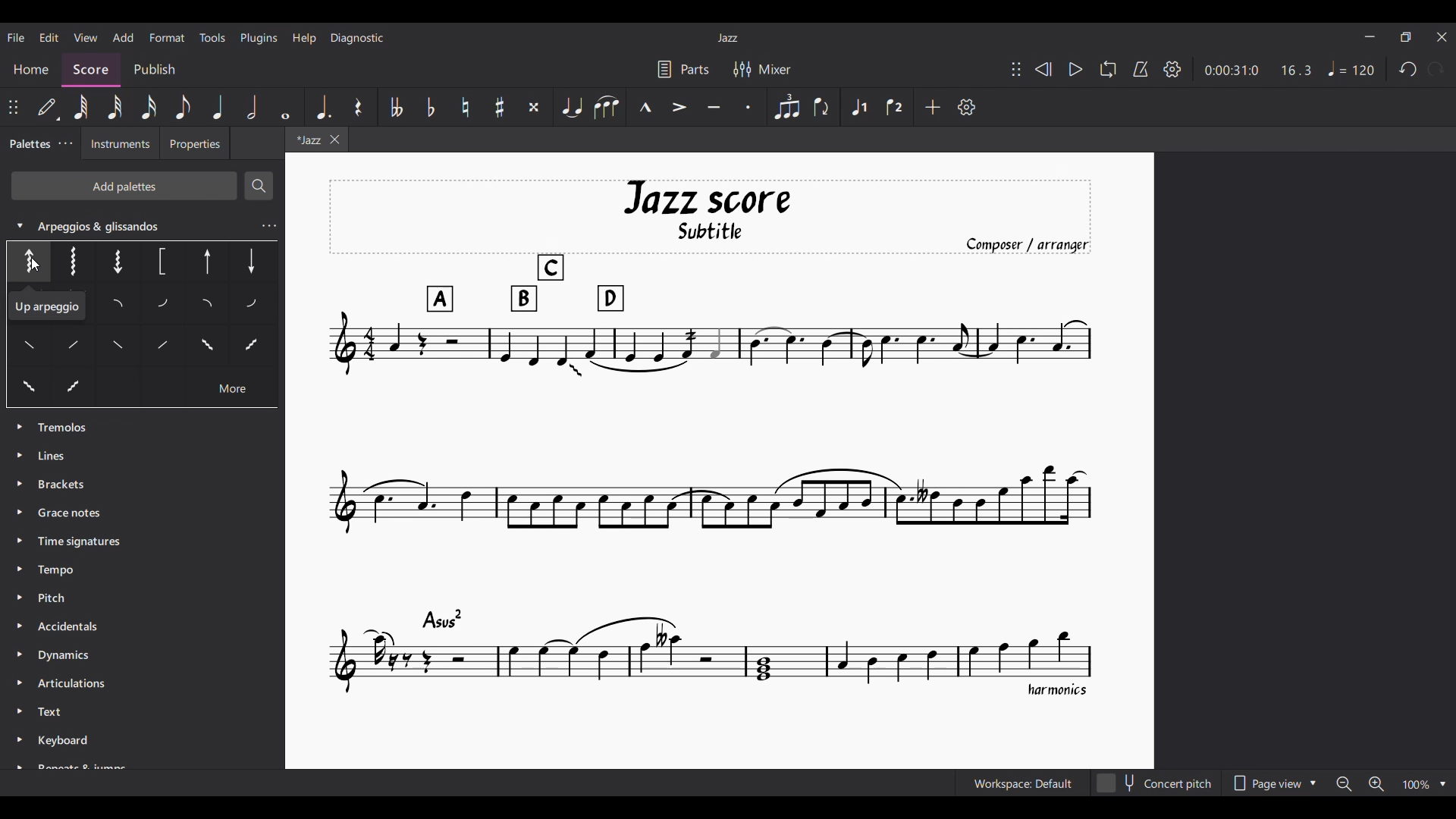  What do you see at coordinates (115, 146) in the screenshot?
I see `Instruments` at bounding box center [115, 146].